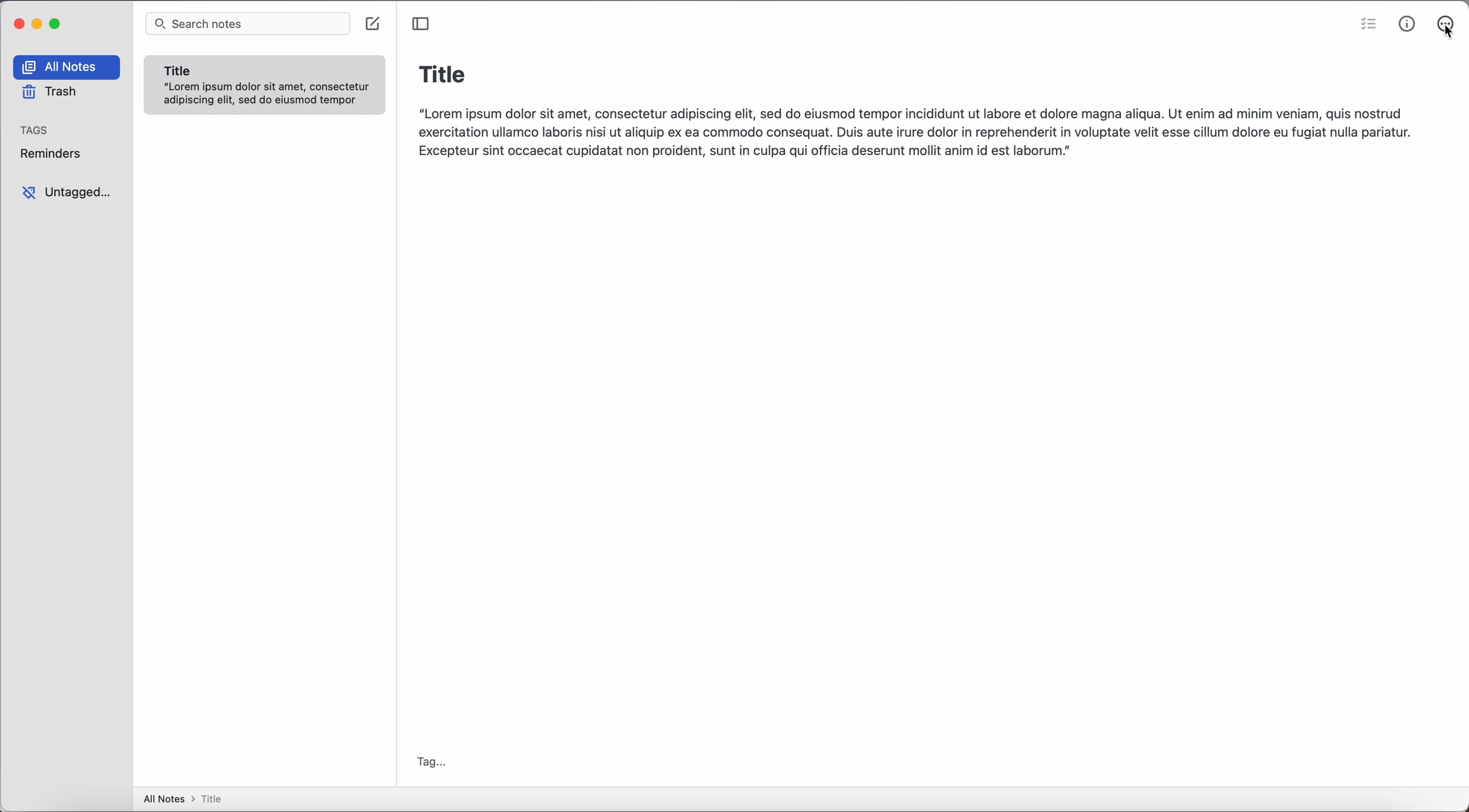  What do you see at coordinates (1447, 38) in the screenshot?
I see `cursor` at bounding box center [1447, 38].